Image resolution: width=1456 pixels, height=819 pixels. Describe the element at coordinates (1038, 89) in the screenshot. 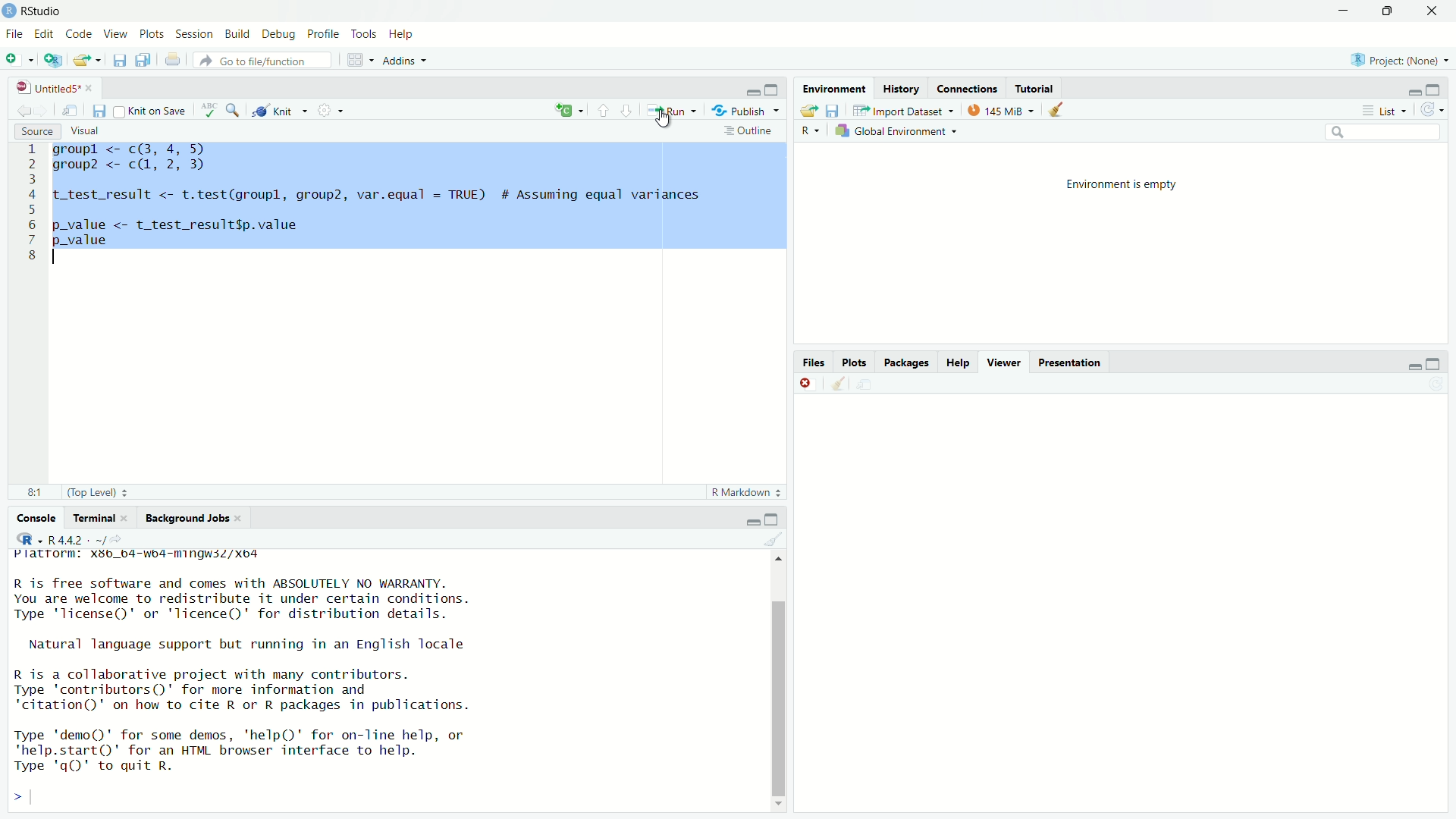

I see `Tutorial` at that location.